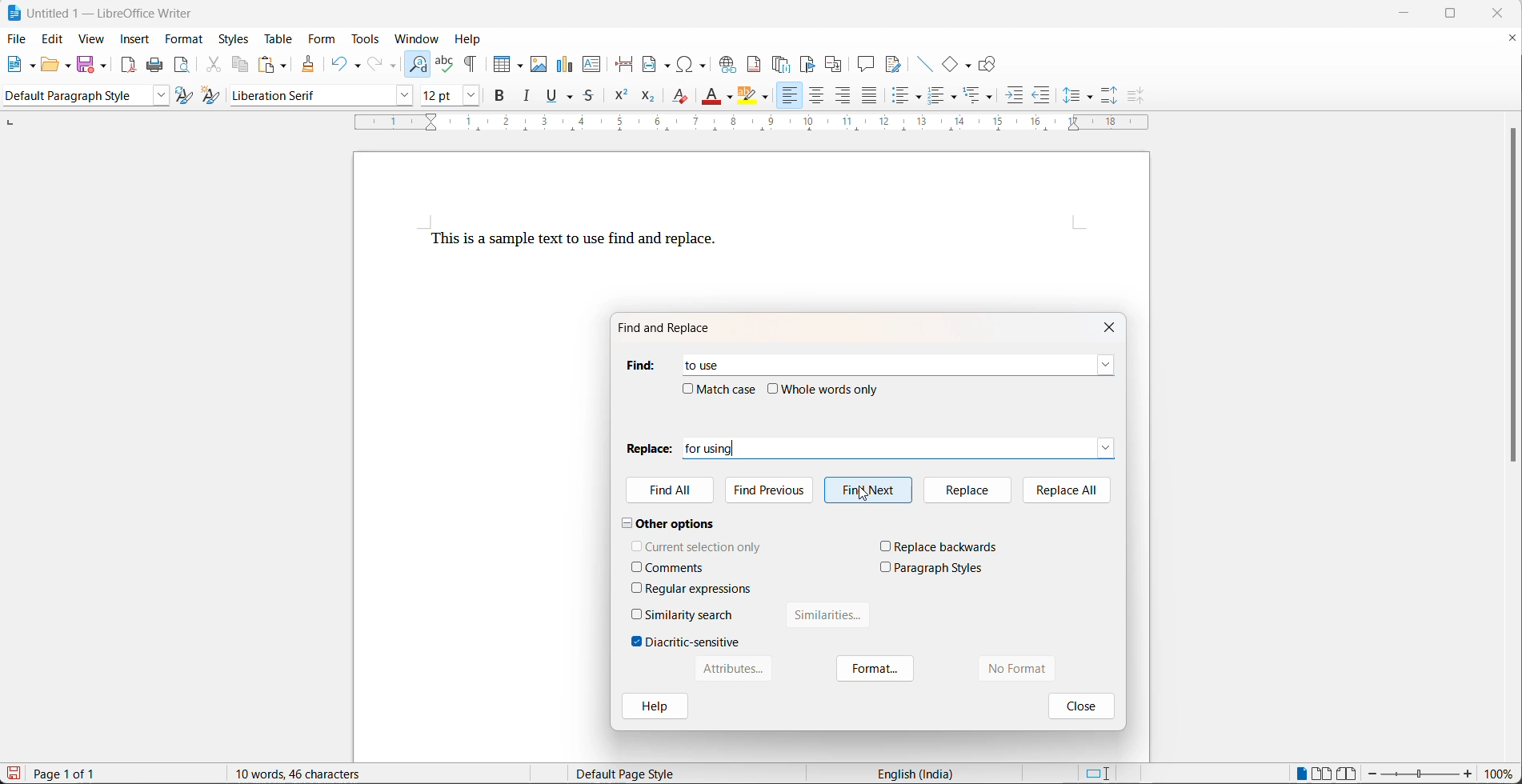  Describe the element at coordinates (338, 62) in the screenshot. I see `undo` at that location.